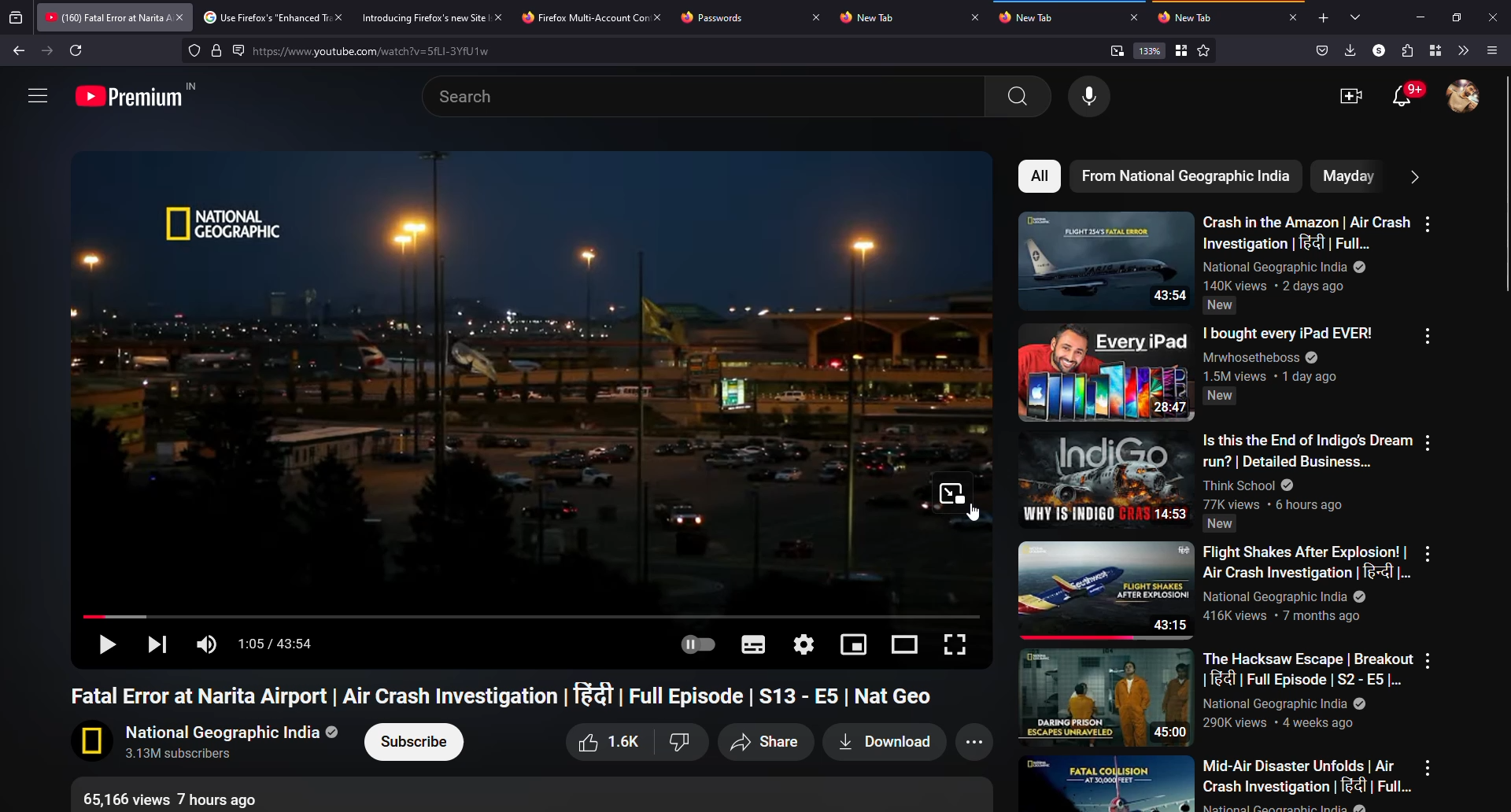 The width and height of the screenshot is (1511, 812). I want to click on Dislike, so click(679, 742).